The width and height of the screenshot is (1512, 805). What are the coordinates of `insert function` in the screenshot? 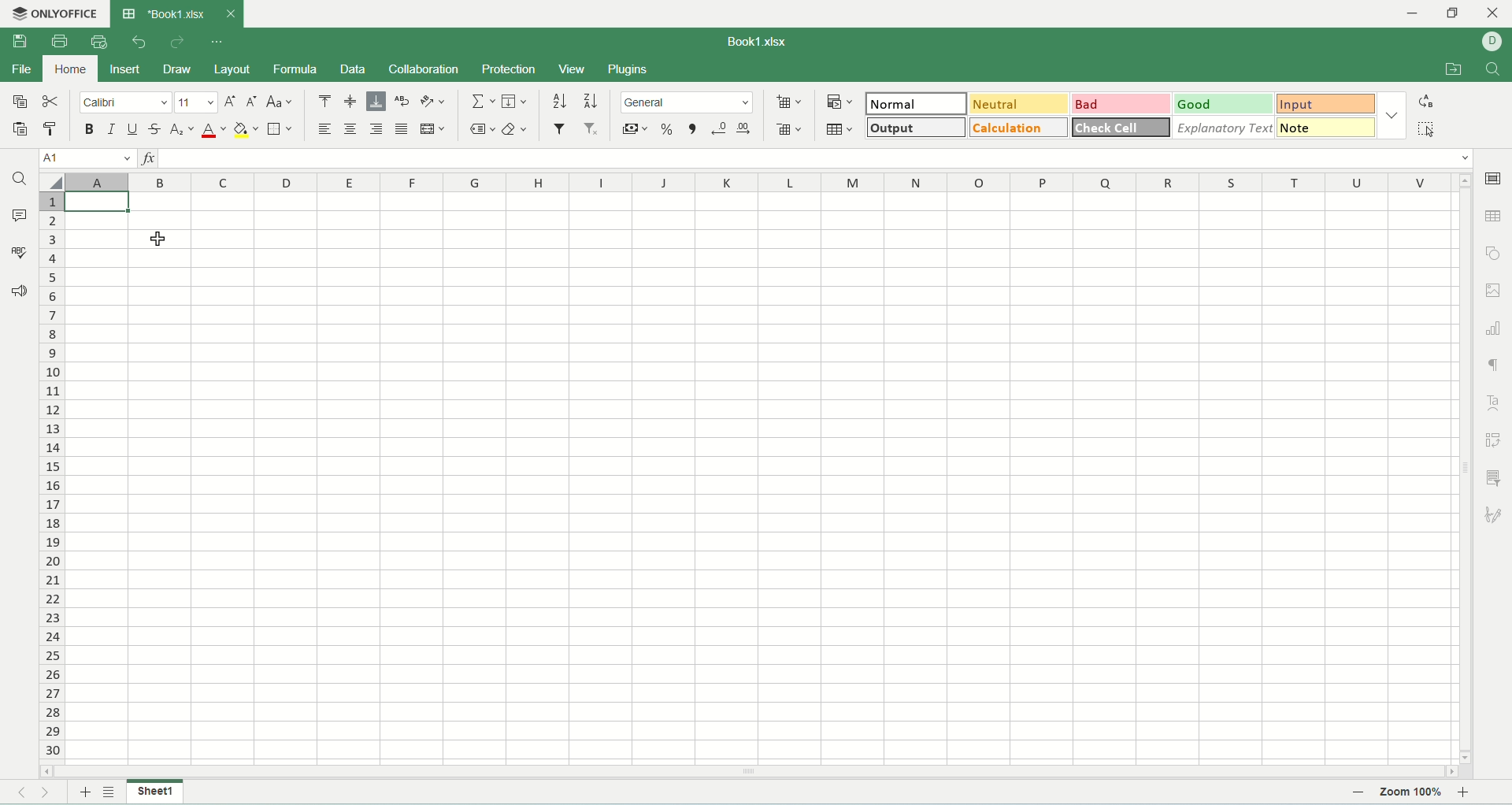 It's located at (146, 157).